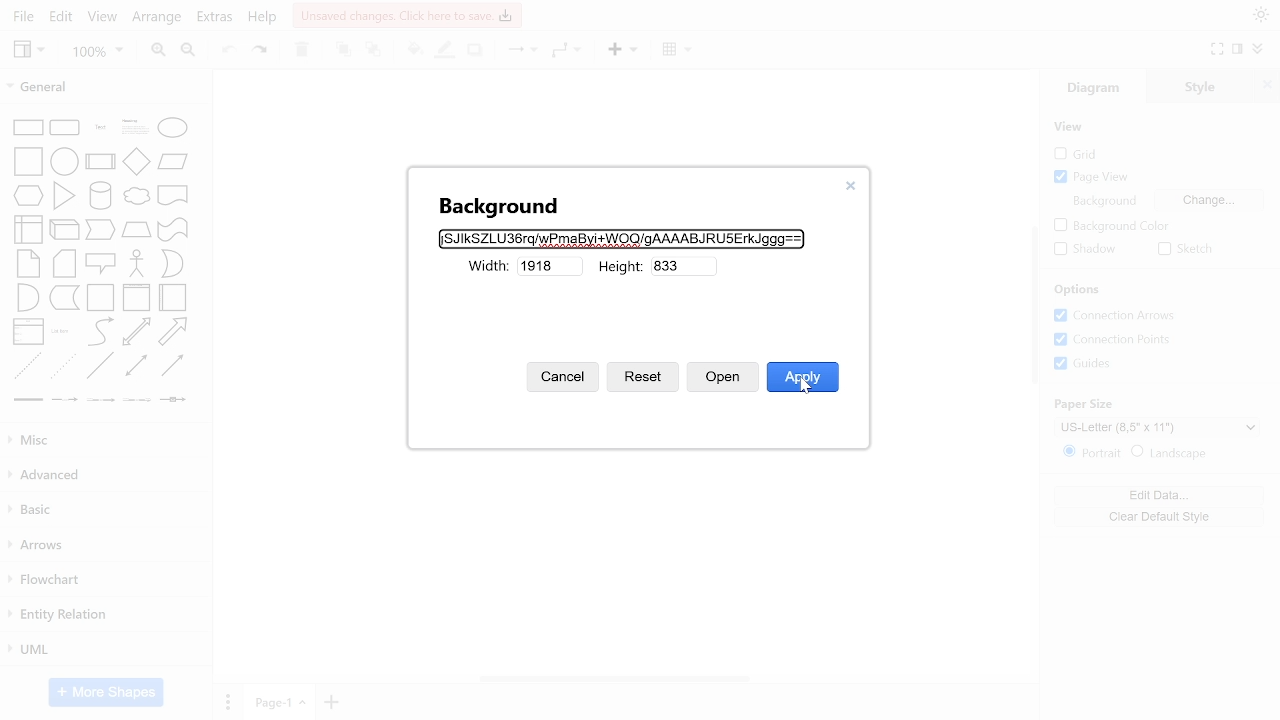 The image size is (1280, 720). What do you see at coordinates (685, 264) in the screenshot?
I see `height (833)` at bounding box center [685, 264].